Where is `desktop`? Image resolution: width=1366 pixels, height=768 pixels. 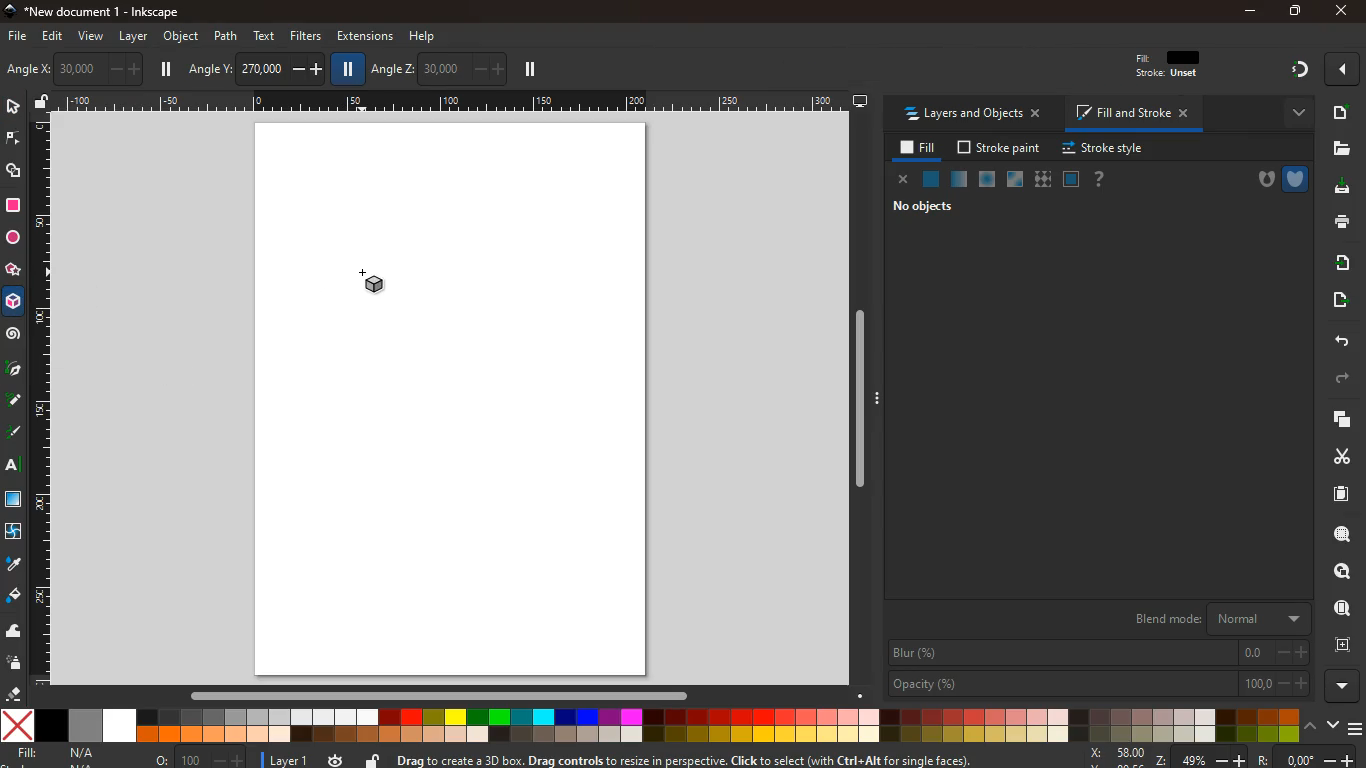
desktop is located at coordinates (860, 102).